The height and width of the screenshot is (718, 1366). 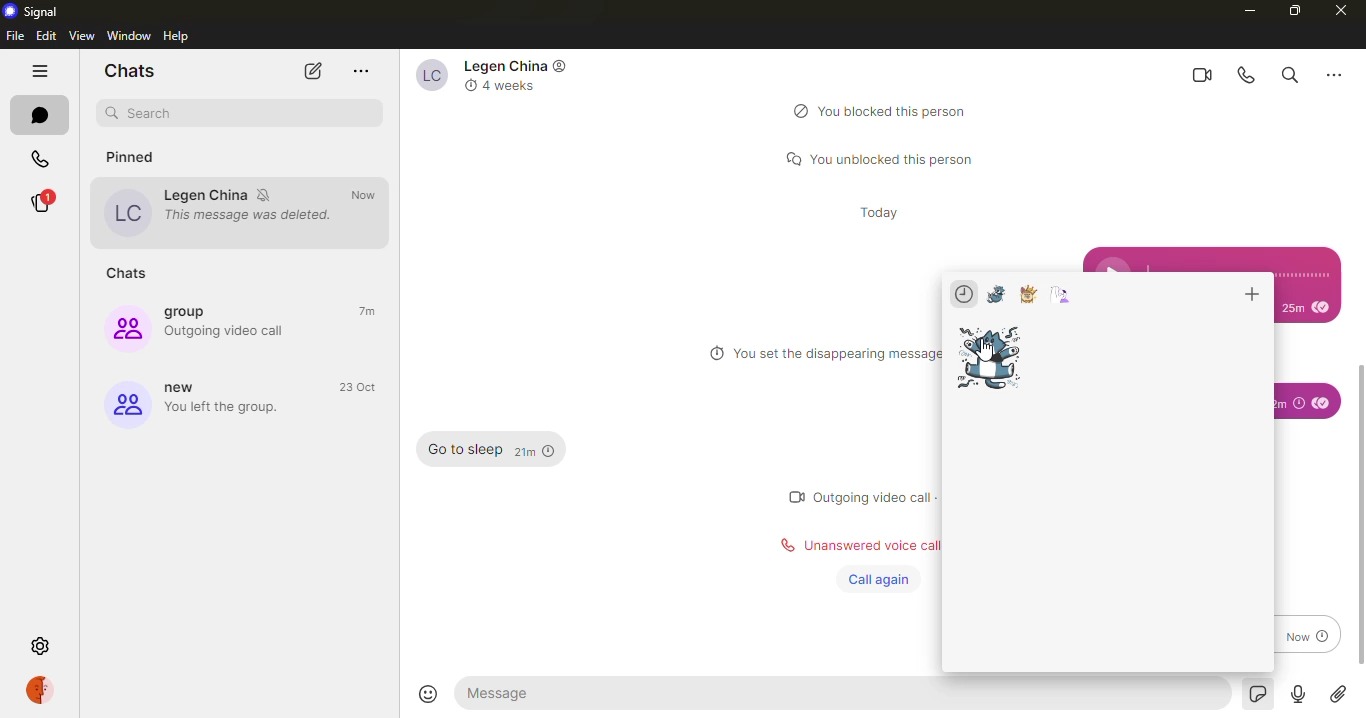 I want to click on hide tabs, so click(x=40, y=69).